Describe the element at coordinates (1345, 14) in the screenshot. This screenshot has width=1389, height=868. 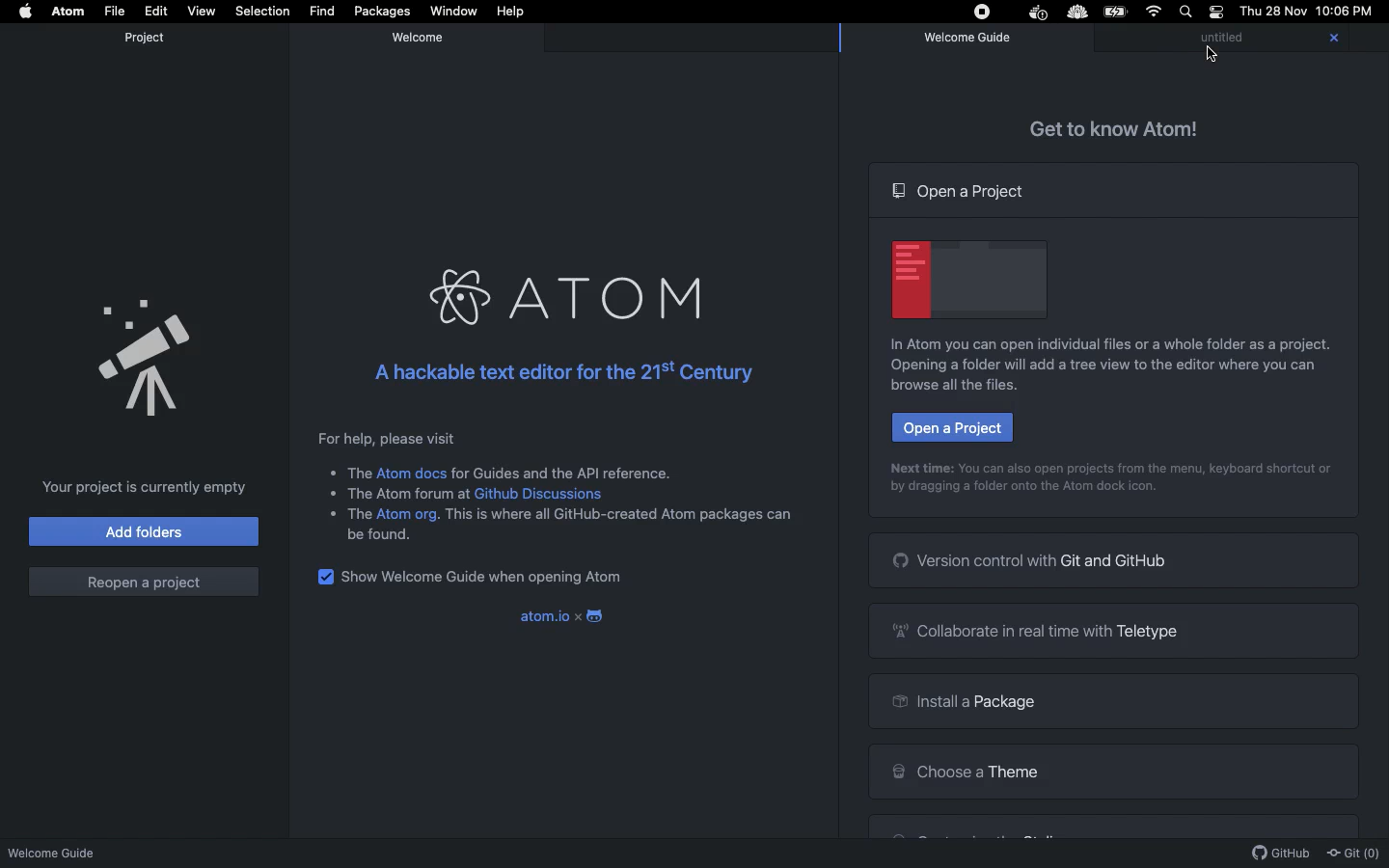
I see `Time` at that location.